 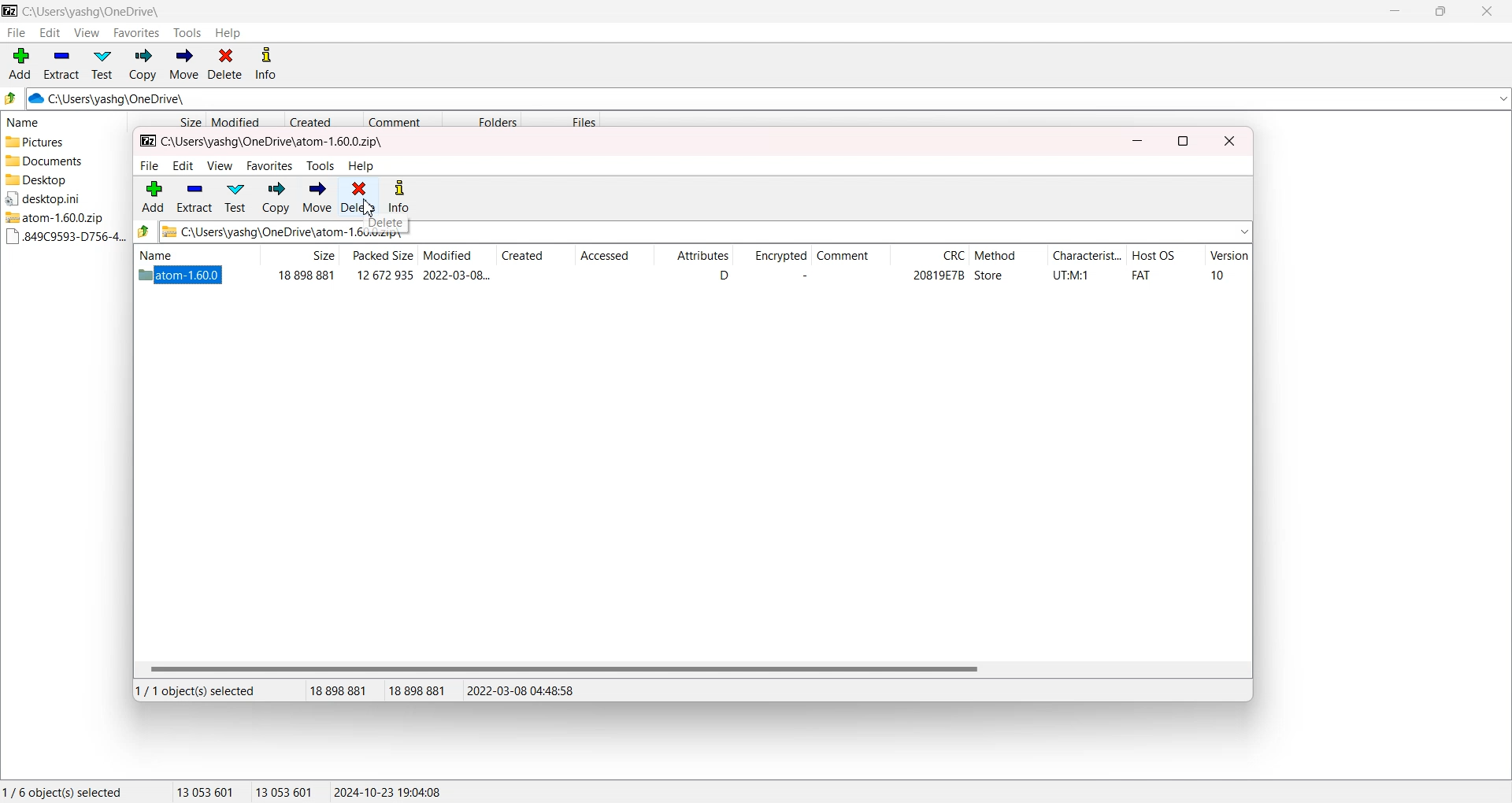 What do you see at coordinates (989, 276) in the screenshot?
I see `store` at bounding box center [989, 276].